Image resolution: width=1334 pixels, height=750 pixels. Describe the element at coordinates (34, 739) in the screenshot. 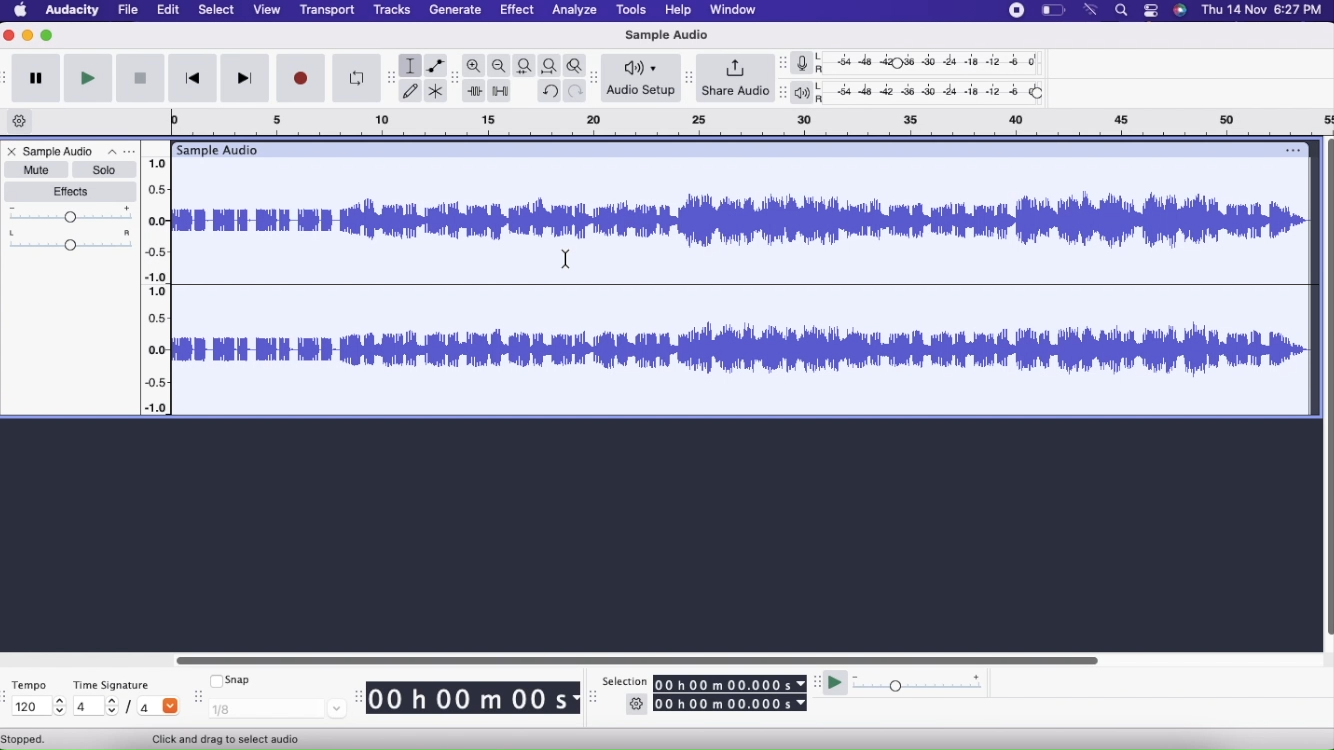

I see `stopped` at that location.